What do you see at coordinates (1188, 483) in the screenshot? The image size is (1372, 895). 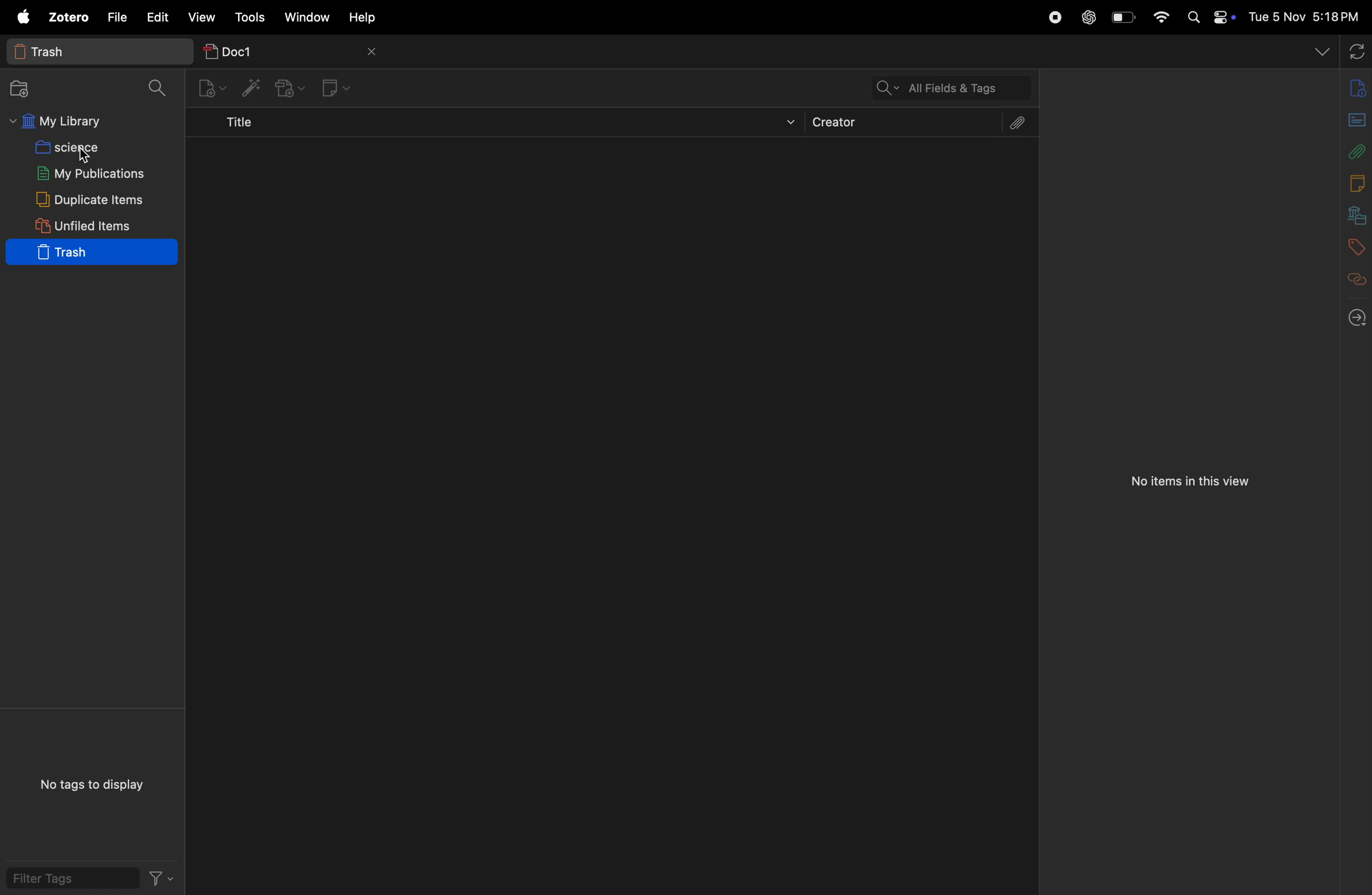 I see `no items in this view` at bounding box center [1188, 483].